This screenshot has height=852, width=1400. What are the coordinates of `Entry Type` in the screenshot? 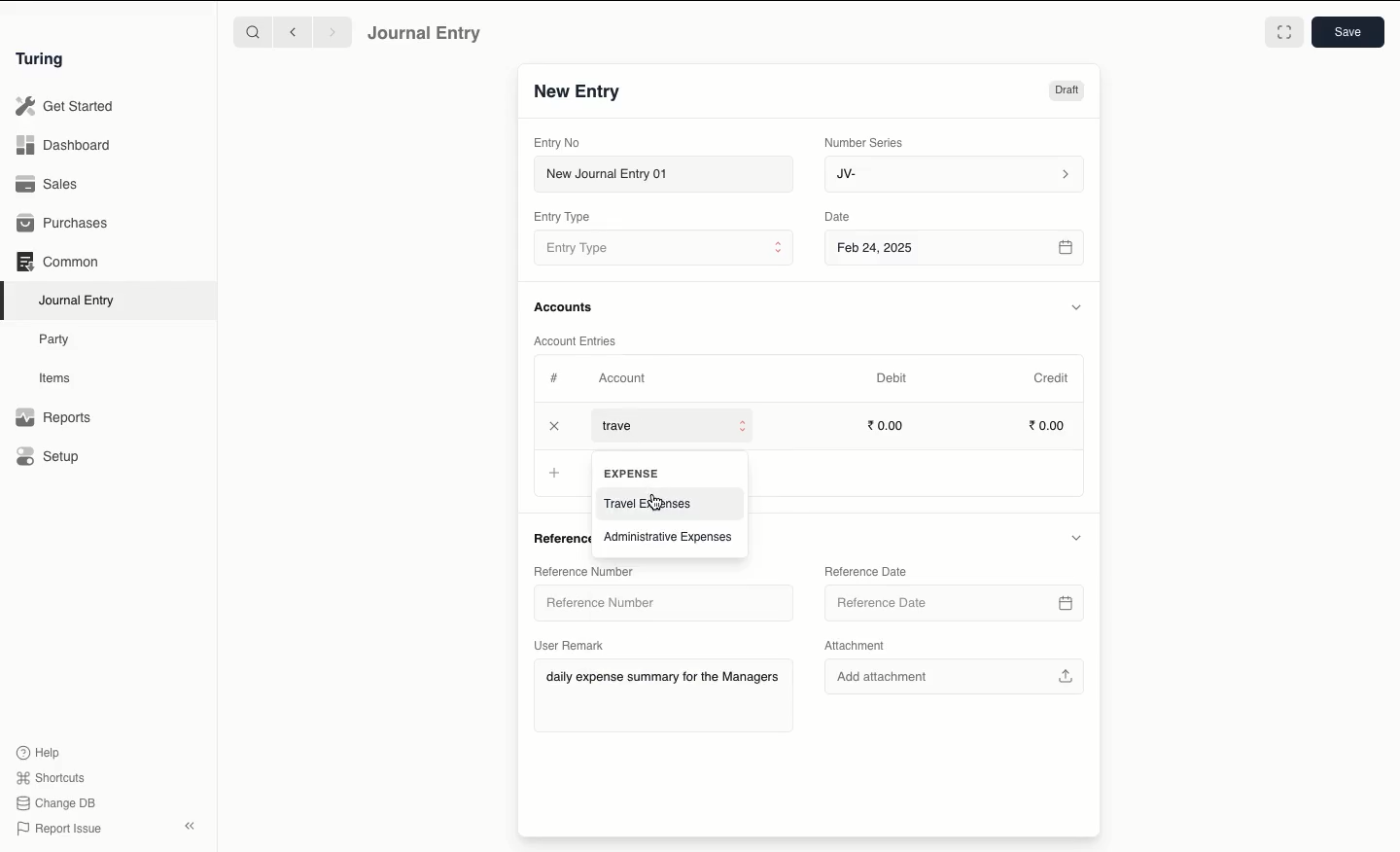 It's located at (663, 247).